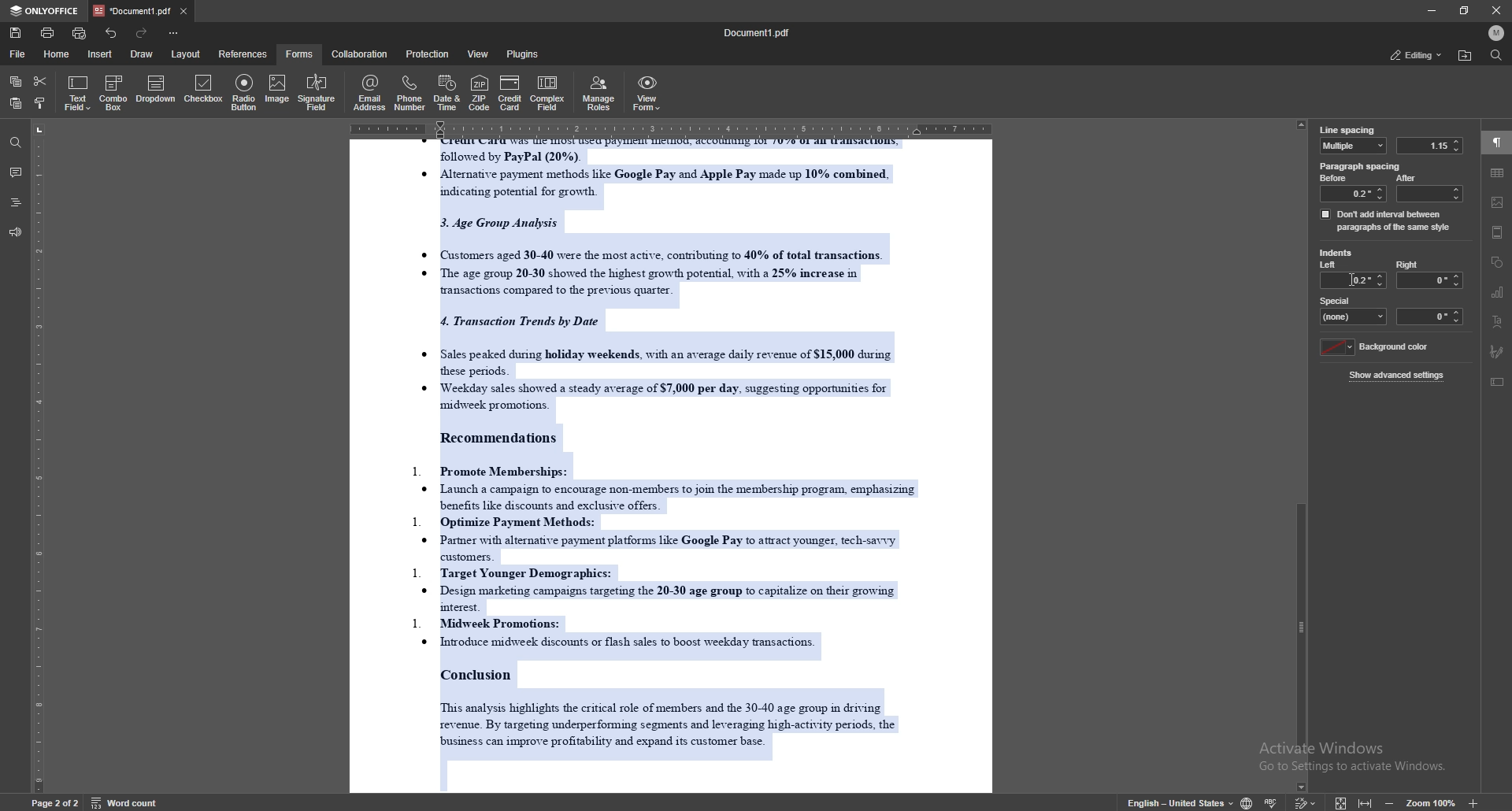  I want to click on line spacing, so click(1347, 130).